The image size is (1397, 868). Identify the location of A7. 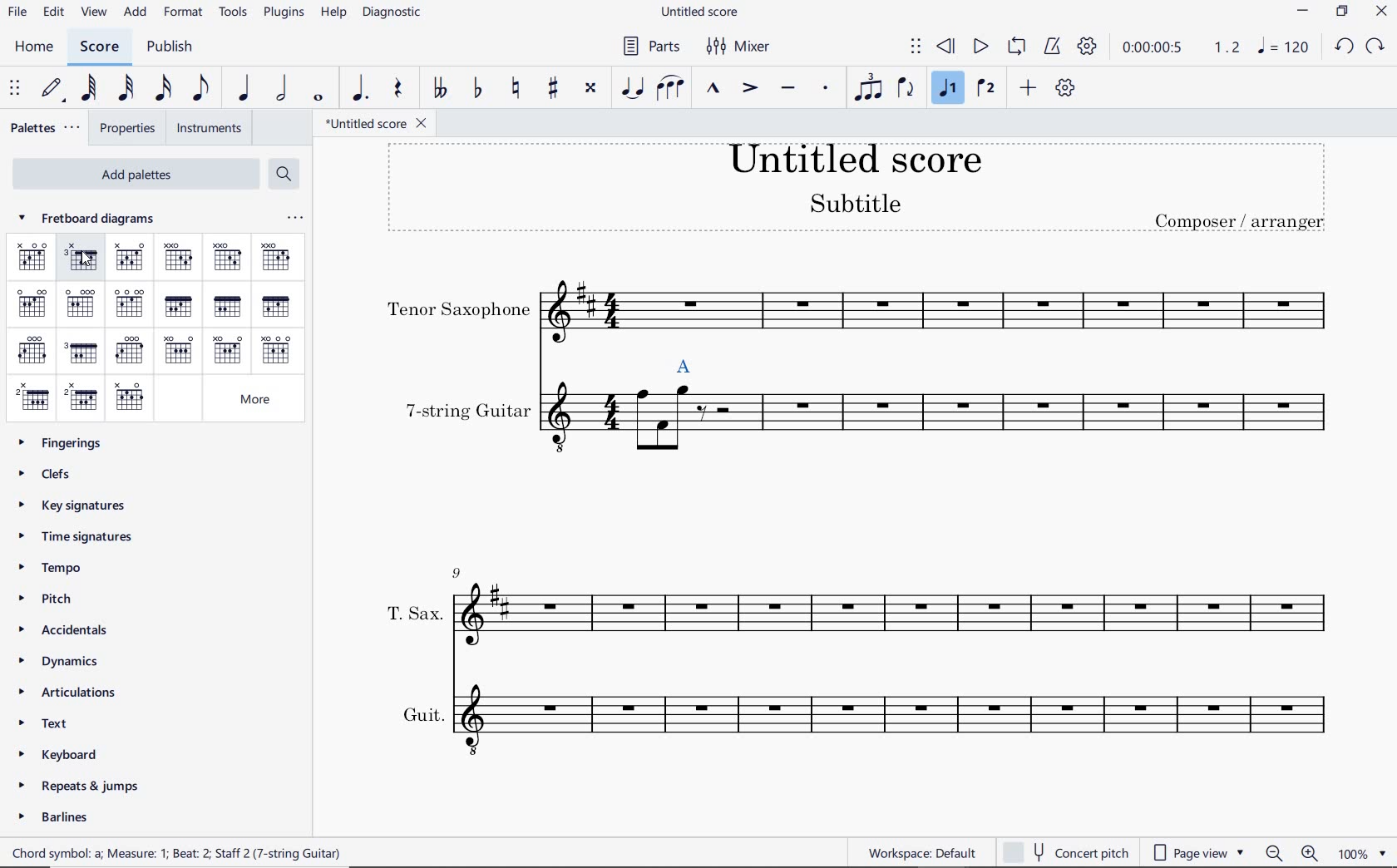
(277, 351).